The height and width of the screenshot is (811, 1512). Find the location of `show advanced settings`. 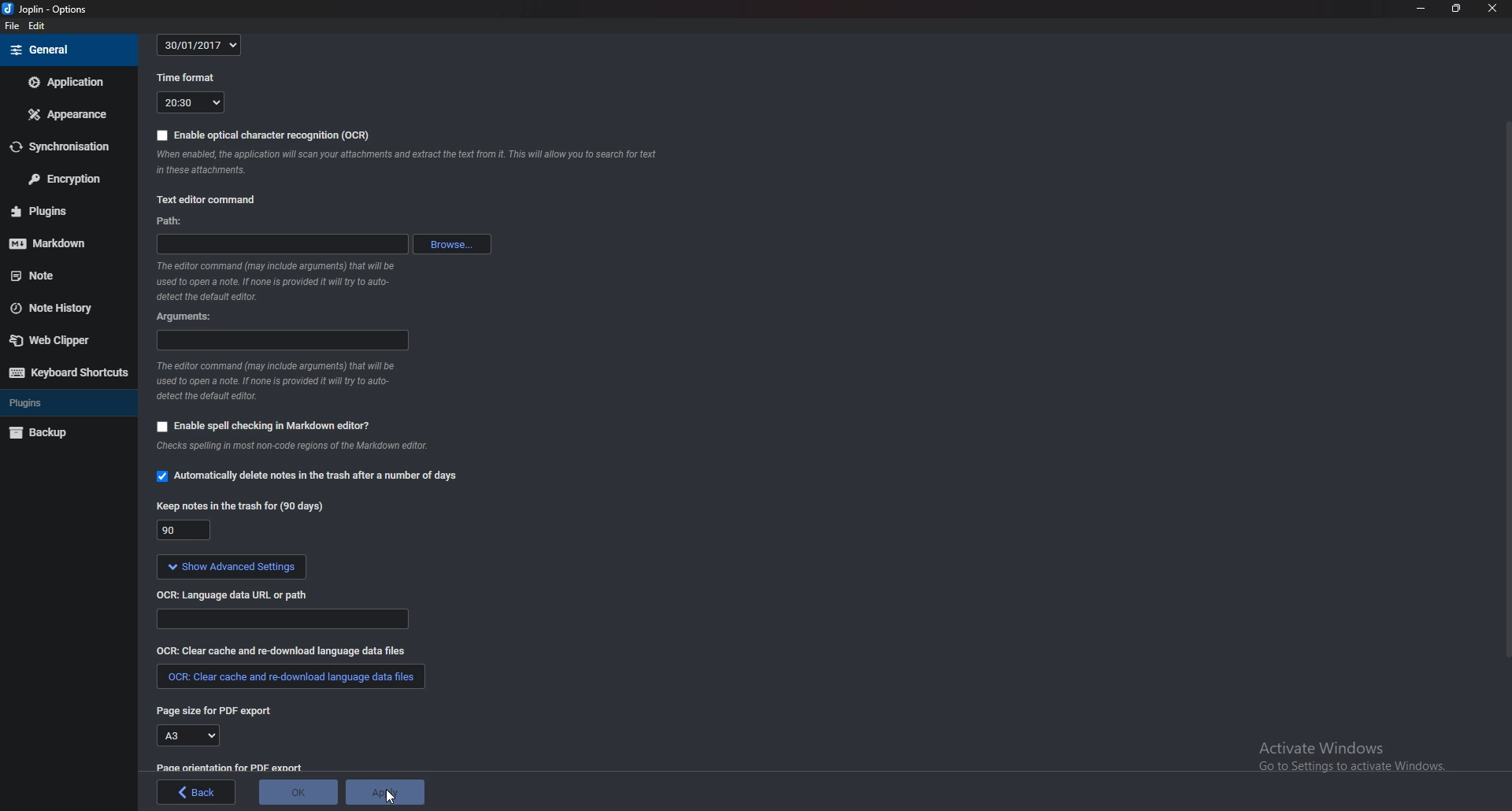

show advanced settings is located at coordinates (233, 567).